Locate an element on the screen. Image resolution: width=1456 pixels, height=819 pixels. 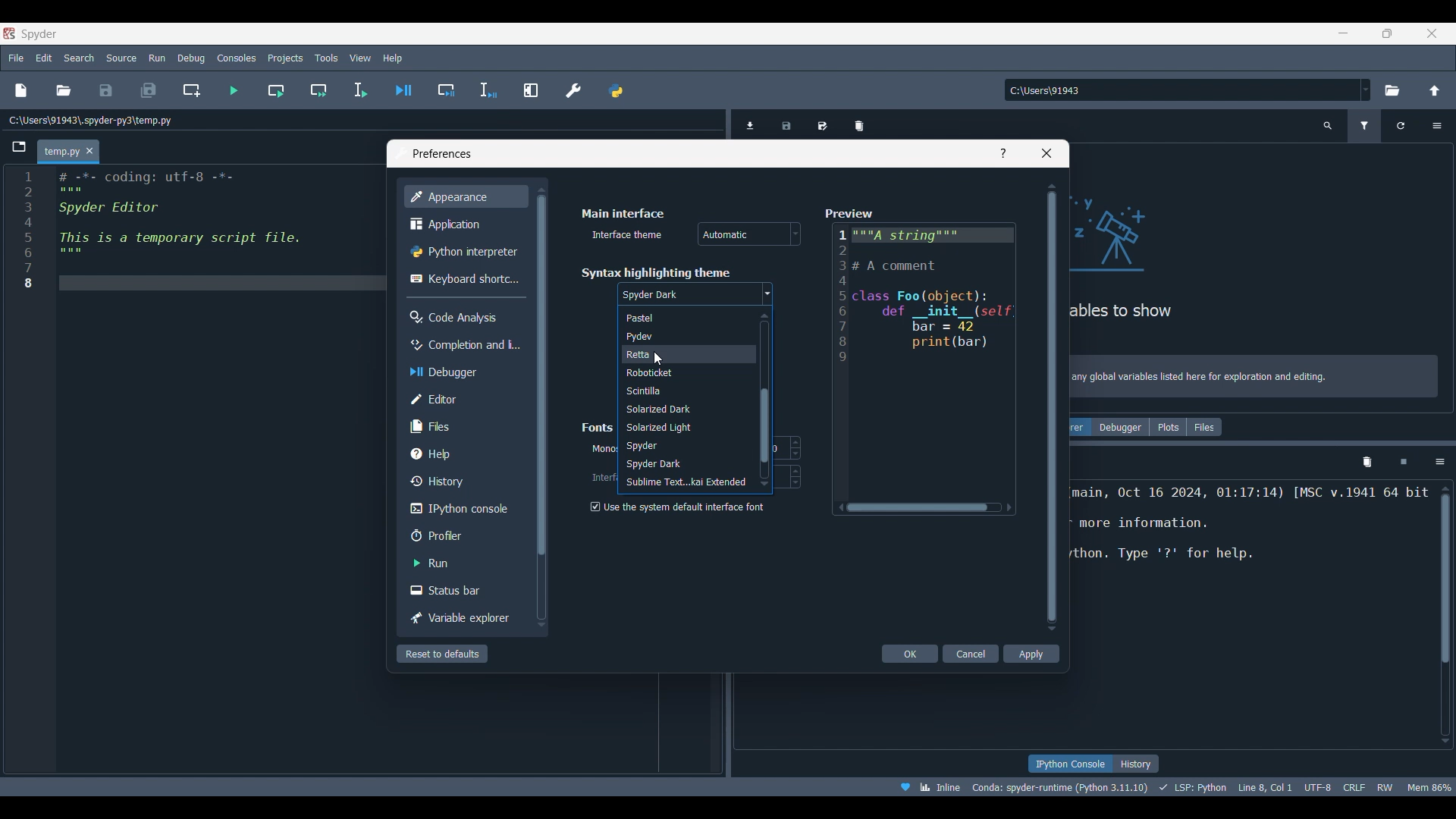
info is located at coordinates (1256, 378).